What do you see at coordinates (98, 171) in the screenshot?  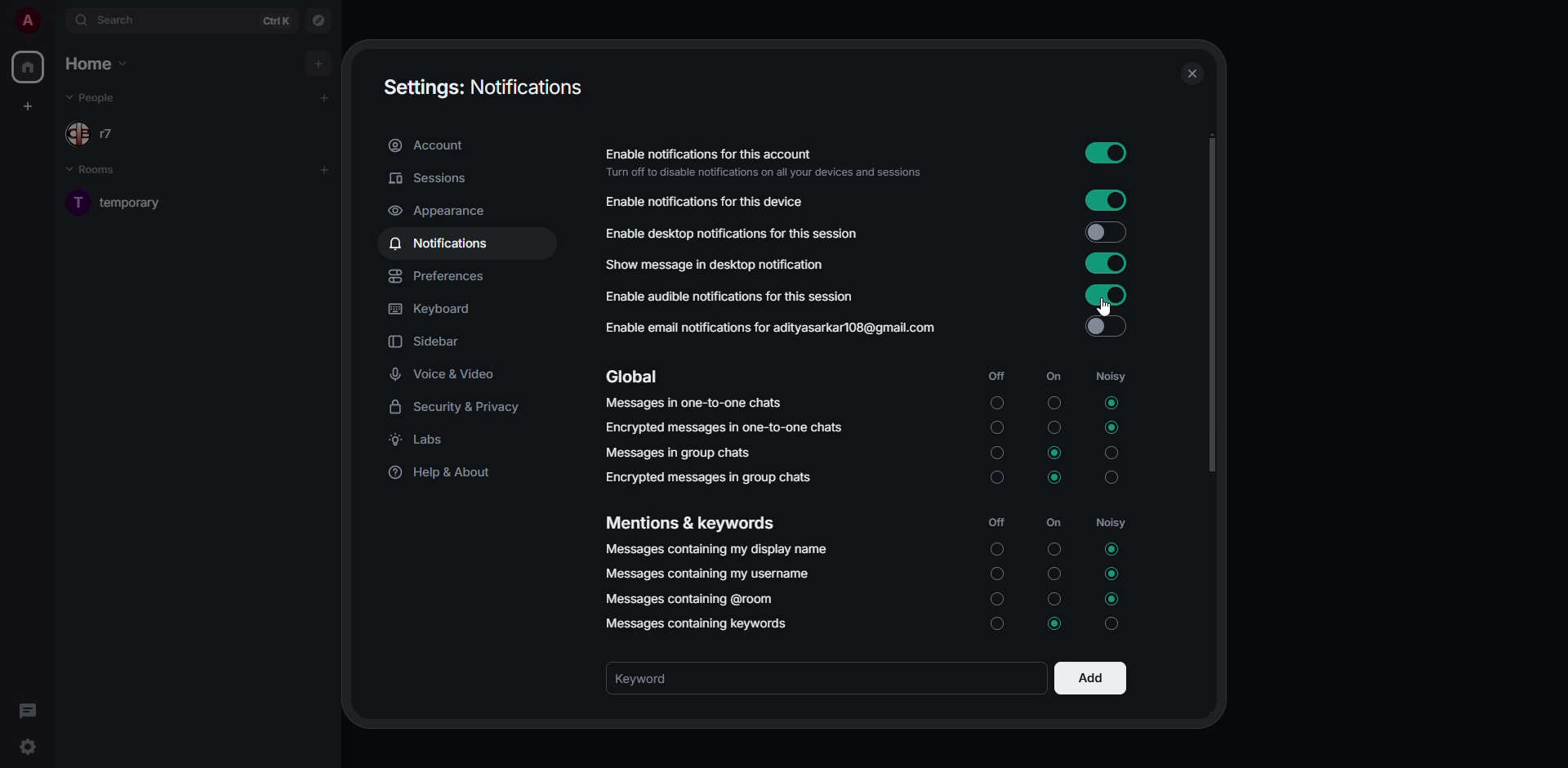 I see `rooms` at bounding box center [98, 171].